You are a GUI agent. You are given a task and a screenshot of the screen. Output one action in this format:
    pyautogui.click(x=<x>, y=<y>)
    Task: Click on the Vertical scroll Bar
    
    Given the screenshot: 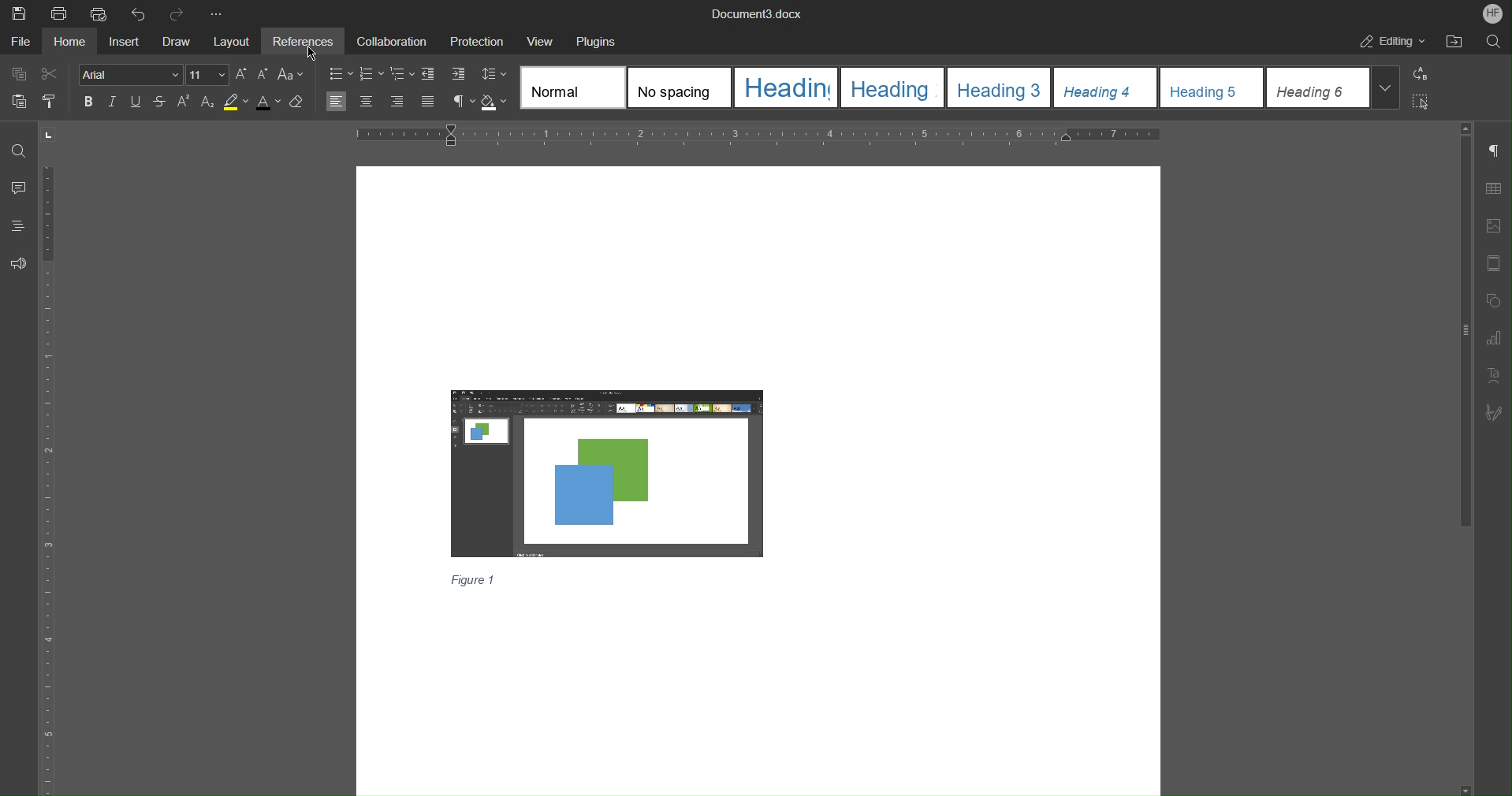 What is the action you would take?
    pyautogui.click(x=1457, y=329)
    